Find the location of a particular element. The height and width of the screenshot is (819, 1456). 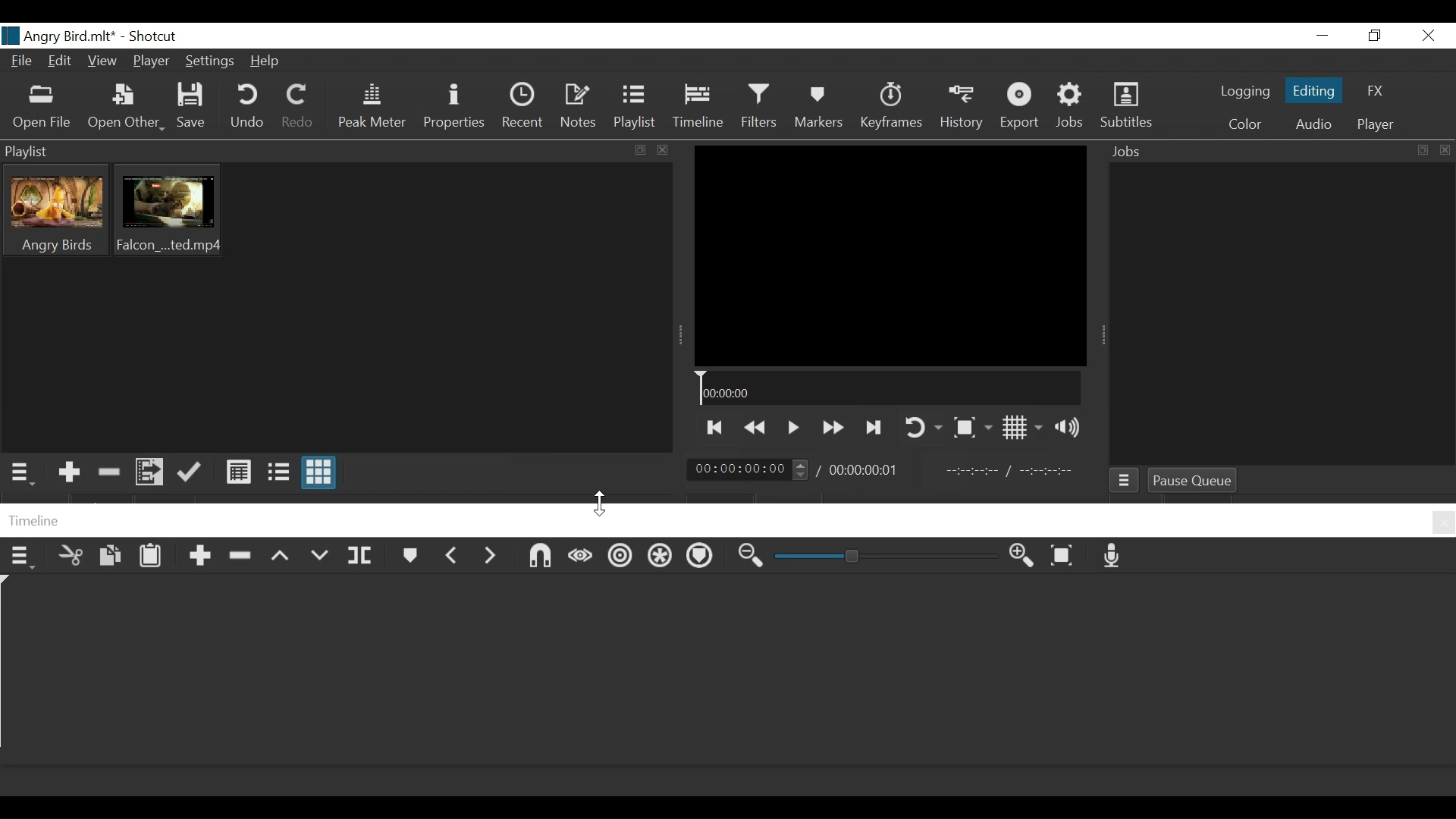

Undo is located at coordinates (247, 108).